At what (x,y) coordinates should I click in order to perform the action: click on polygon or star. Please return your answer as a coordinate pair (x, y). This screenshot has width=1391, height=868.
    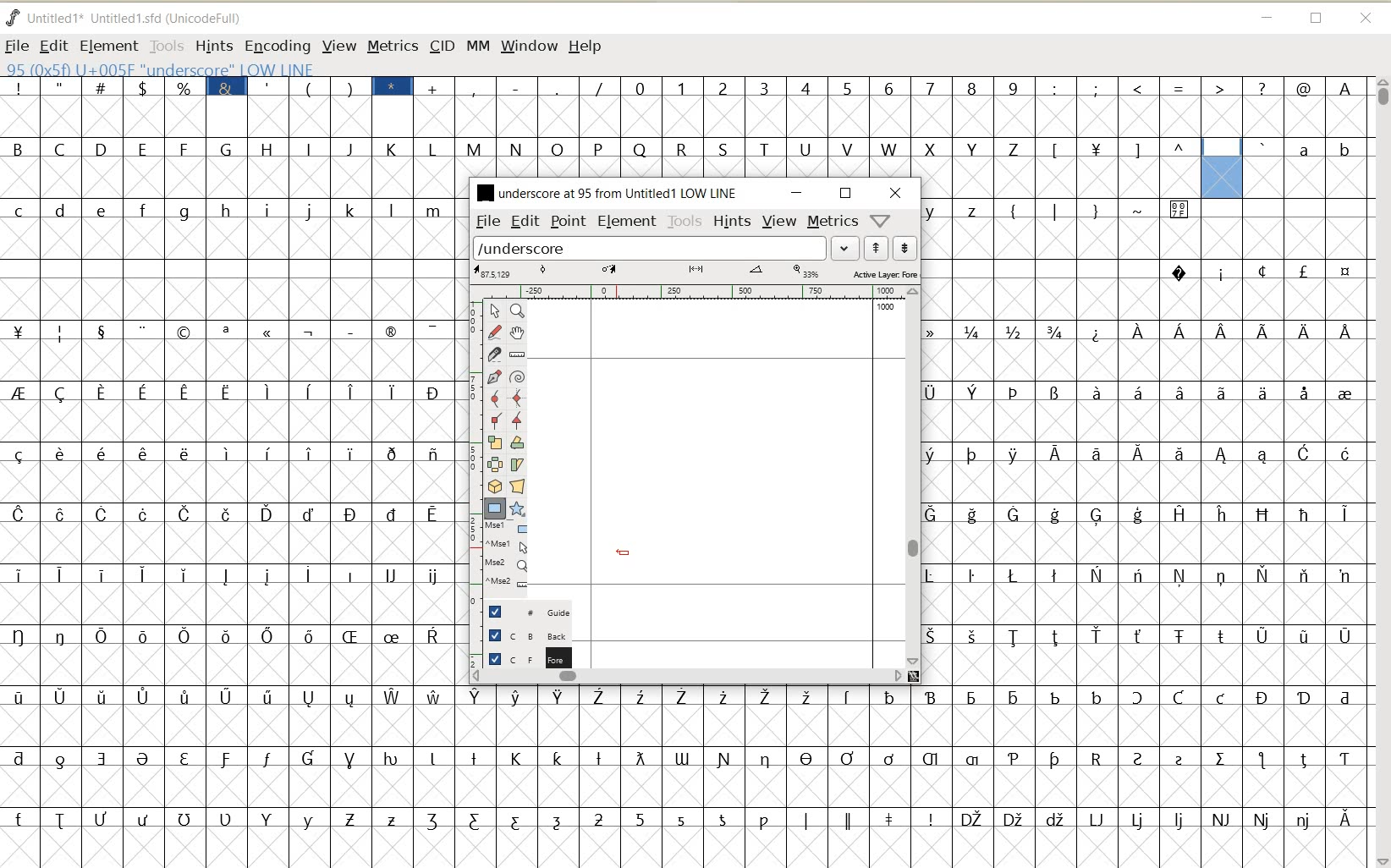
    Looking at the image, I should click on (516, 508).